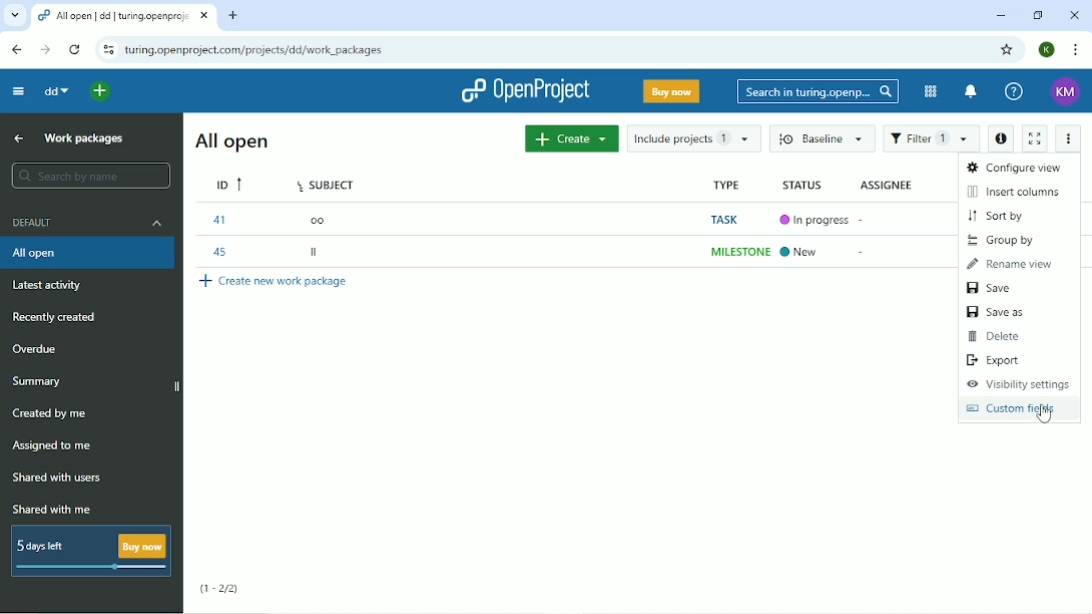 The height and width of the screenshot is (614, 1092). What do you see at coordinates (52, 412) in the screenshot?
I see `Created by me` at bounding box center [52, 412].